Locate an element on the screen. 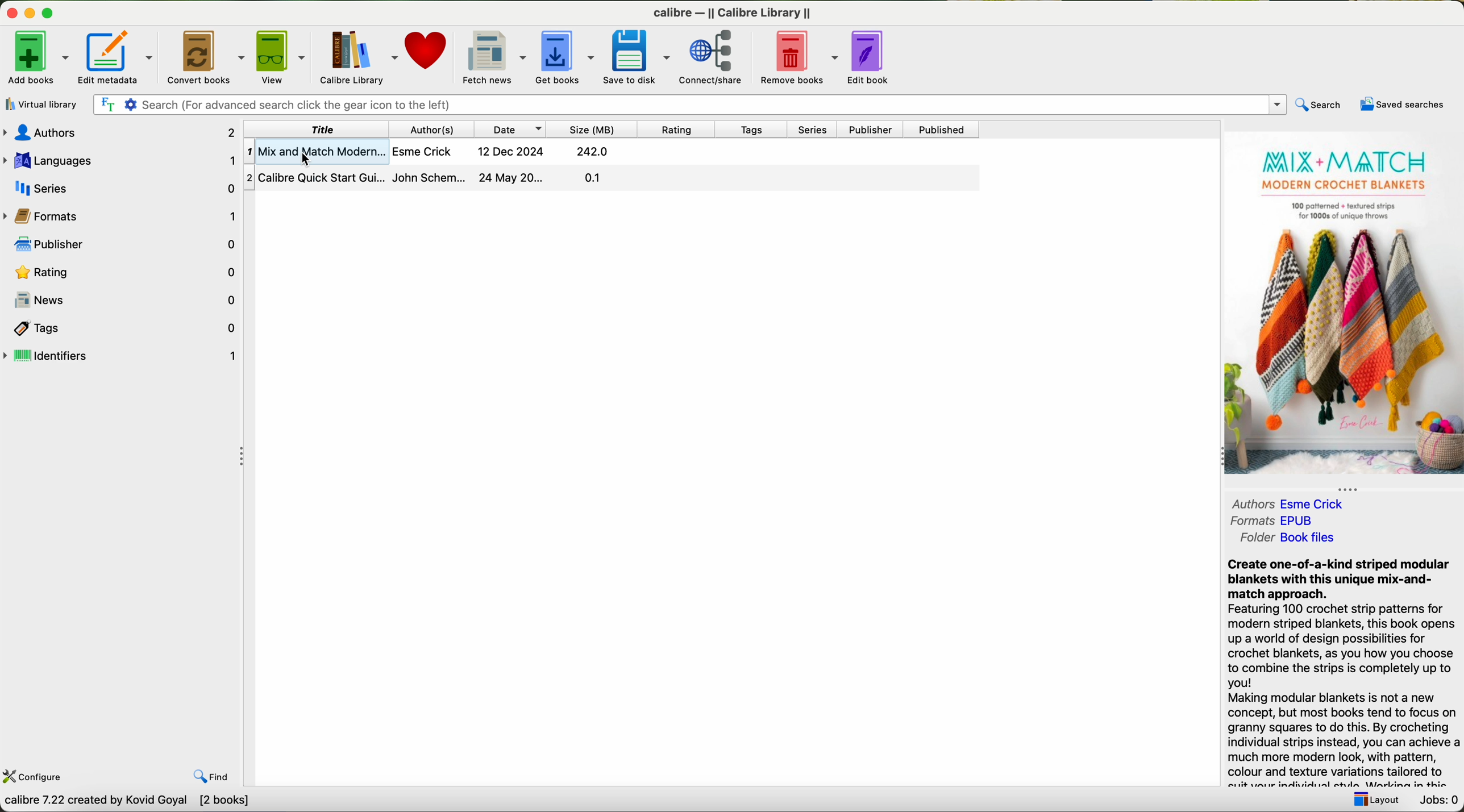  get books is located at coordinates (565, 56).